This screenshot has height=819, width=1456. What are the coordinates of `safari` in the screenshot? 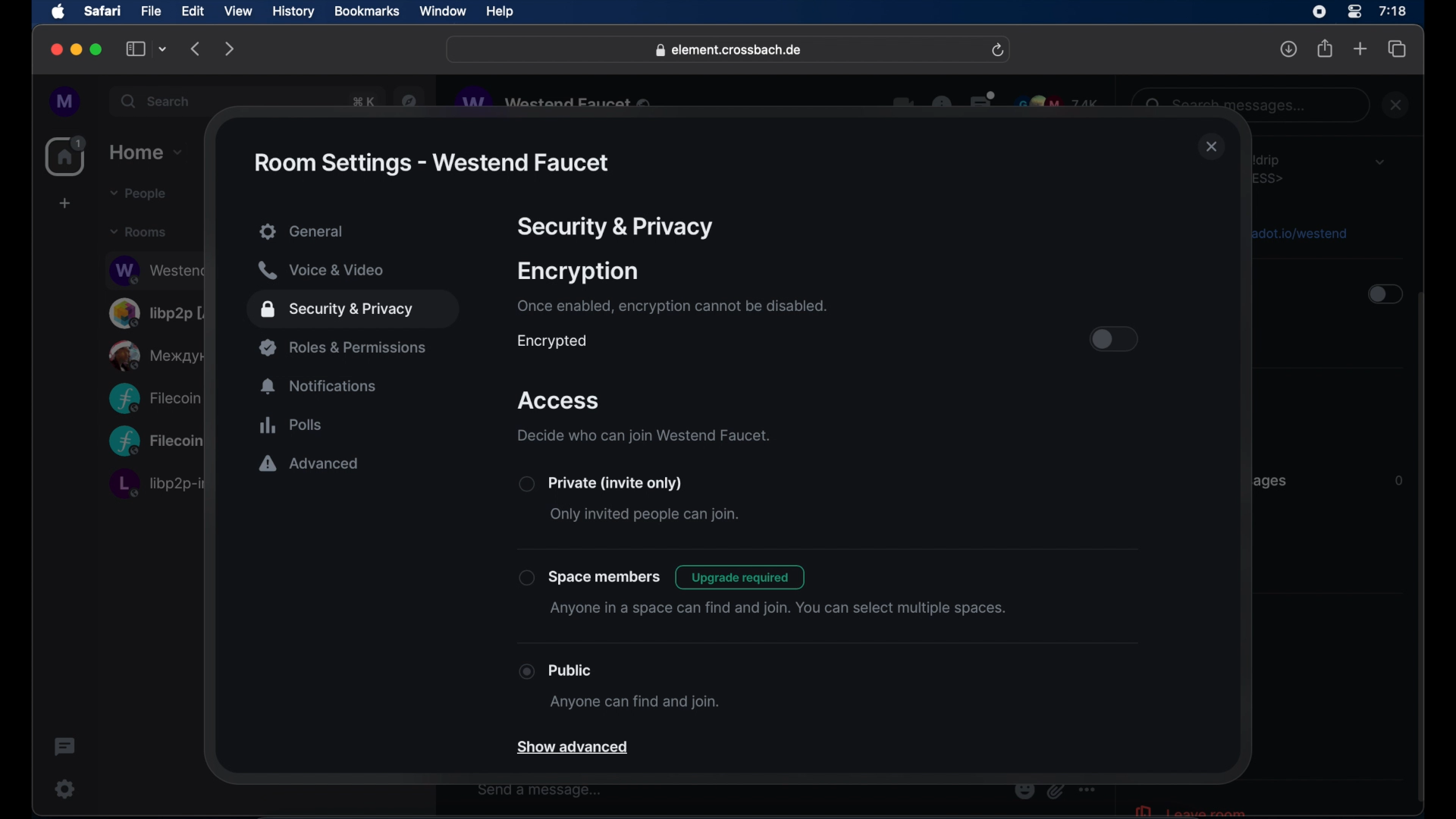 It's located at (102, 11).